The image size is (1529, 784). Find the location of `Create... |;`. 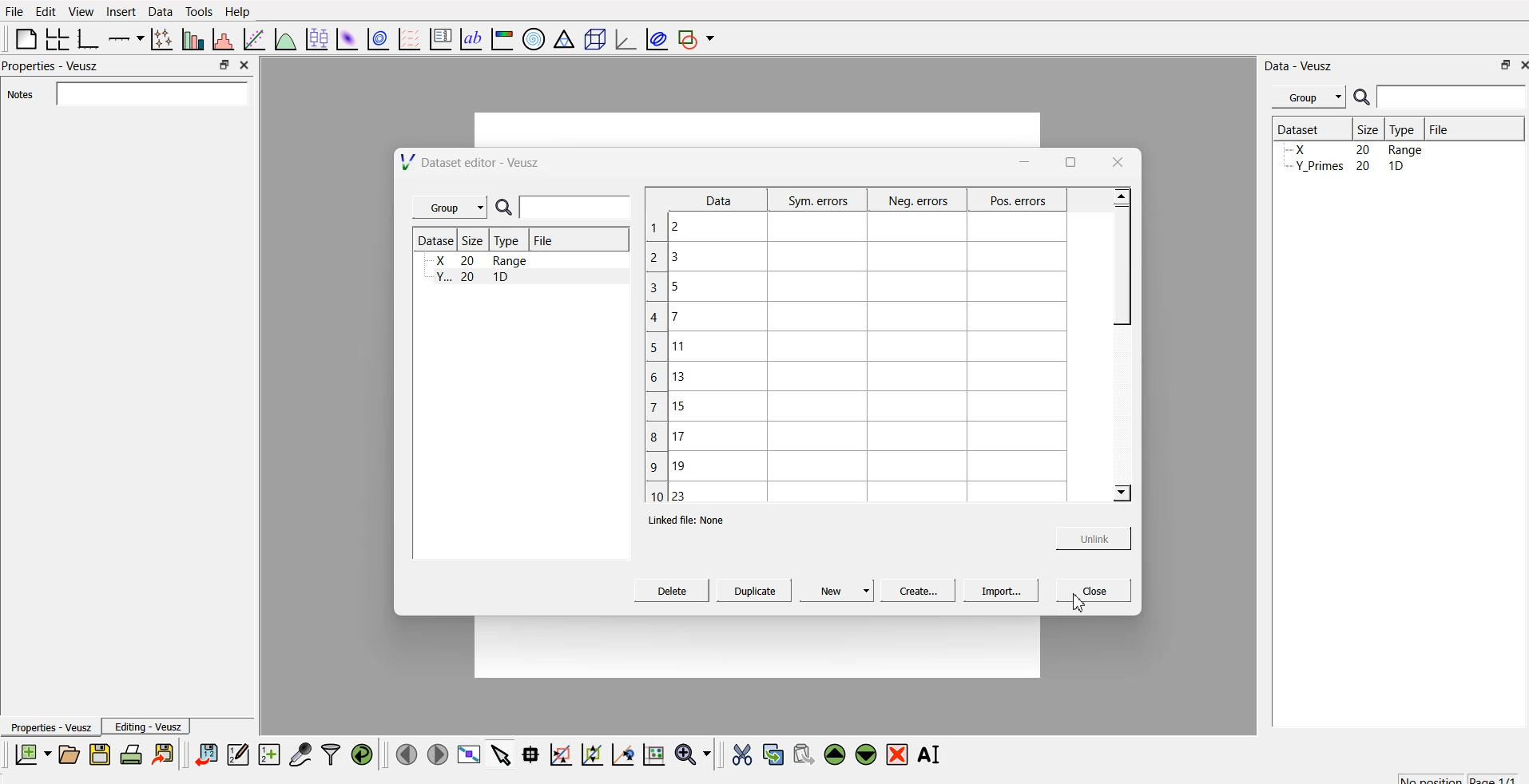

Create... |; is located at coordinates (913, 591).